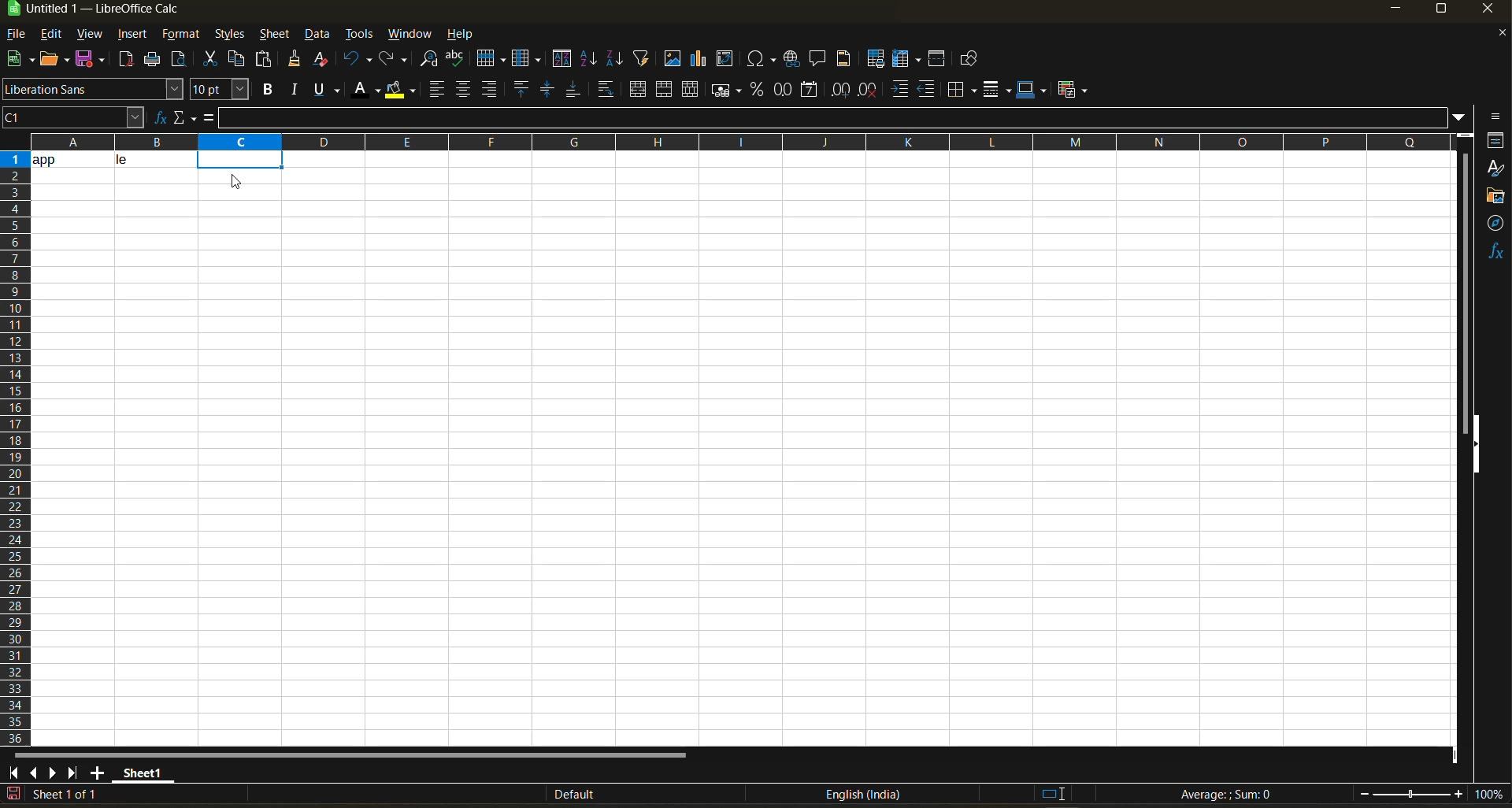 Image resolution: width=1512 pixels, height=808 pixels. I want to click on insert image, so click(672, 58).